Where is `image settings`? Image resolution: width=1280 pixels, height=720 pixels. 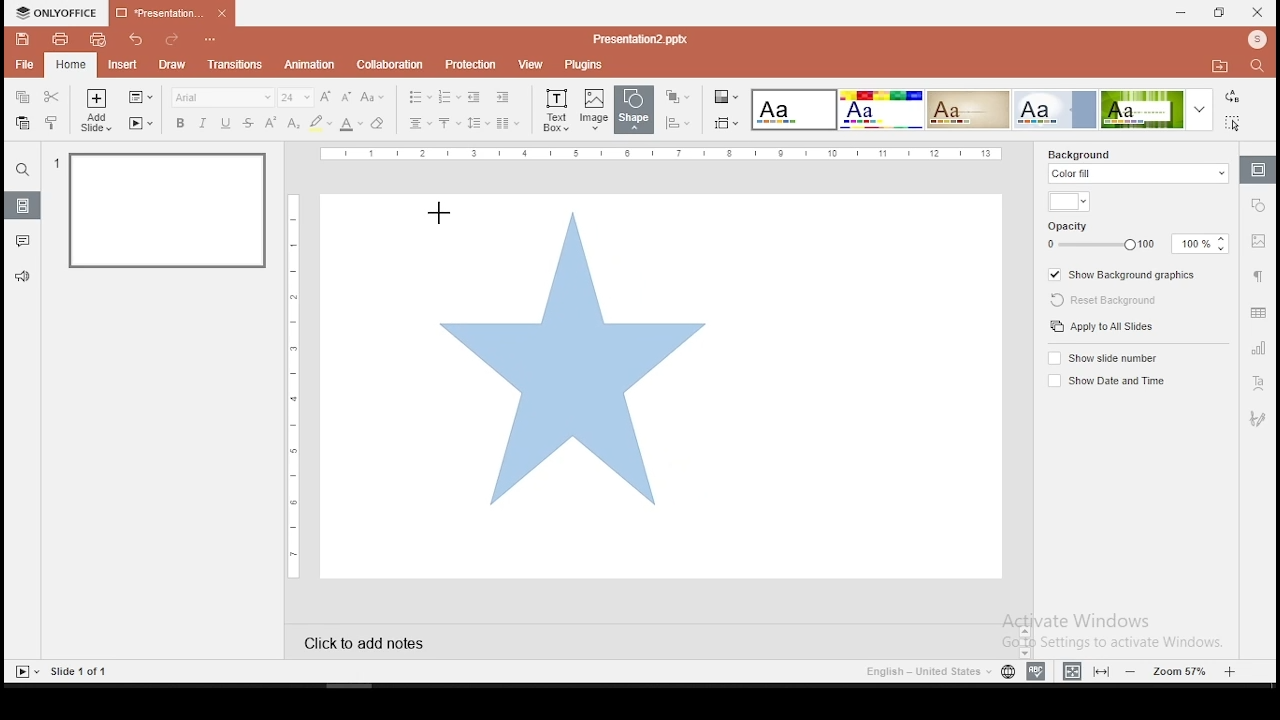 image settings is located at coordinates (1259, 241).